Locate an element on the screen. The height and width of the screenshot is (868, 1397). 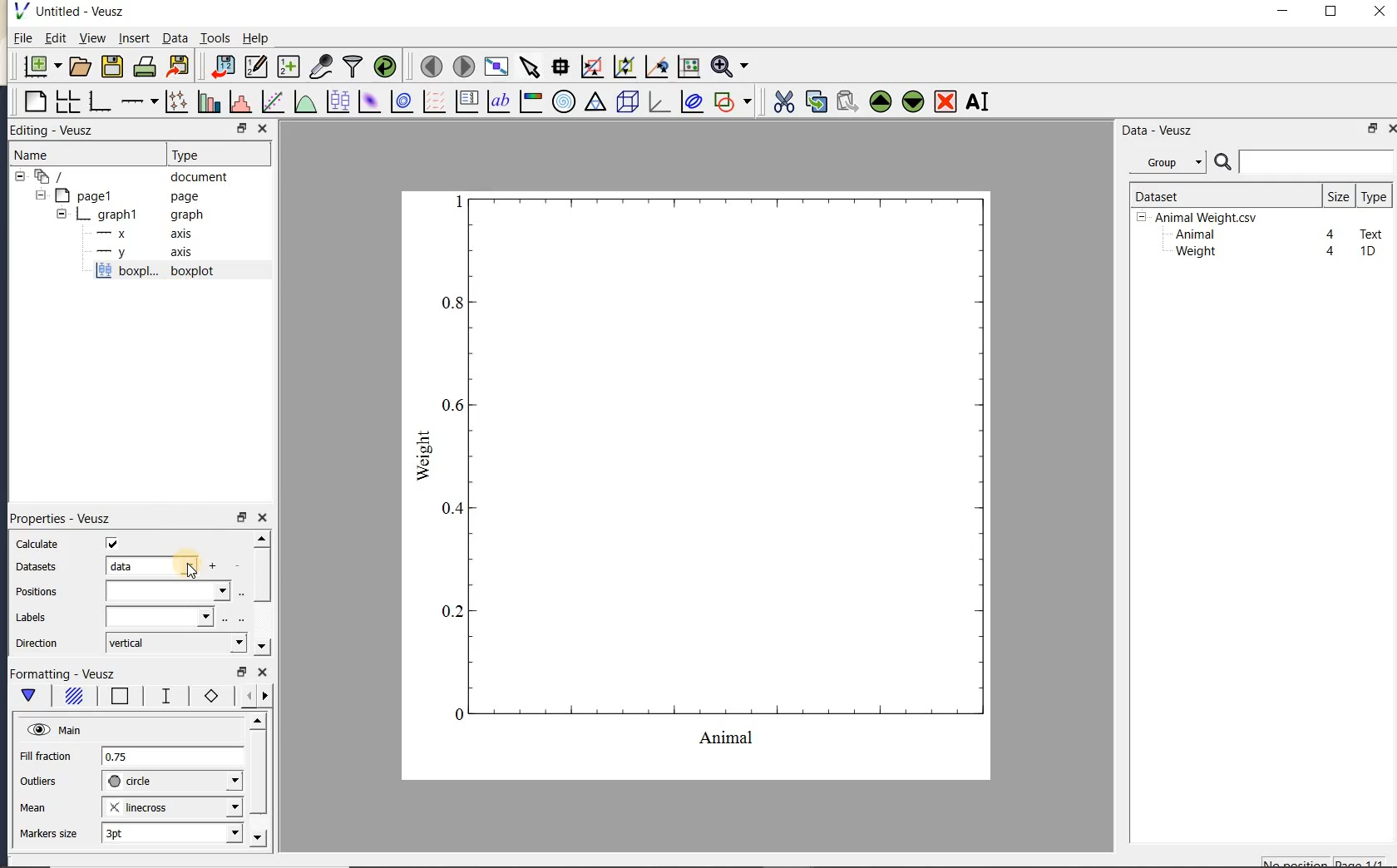
Properties - Veusz is located at coordinates (59, 517).